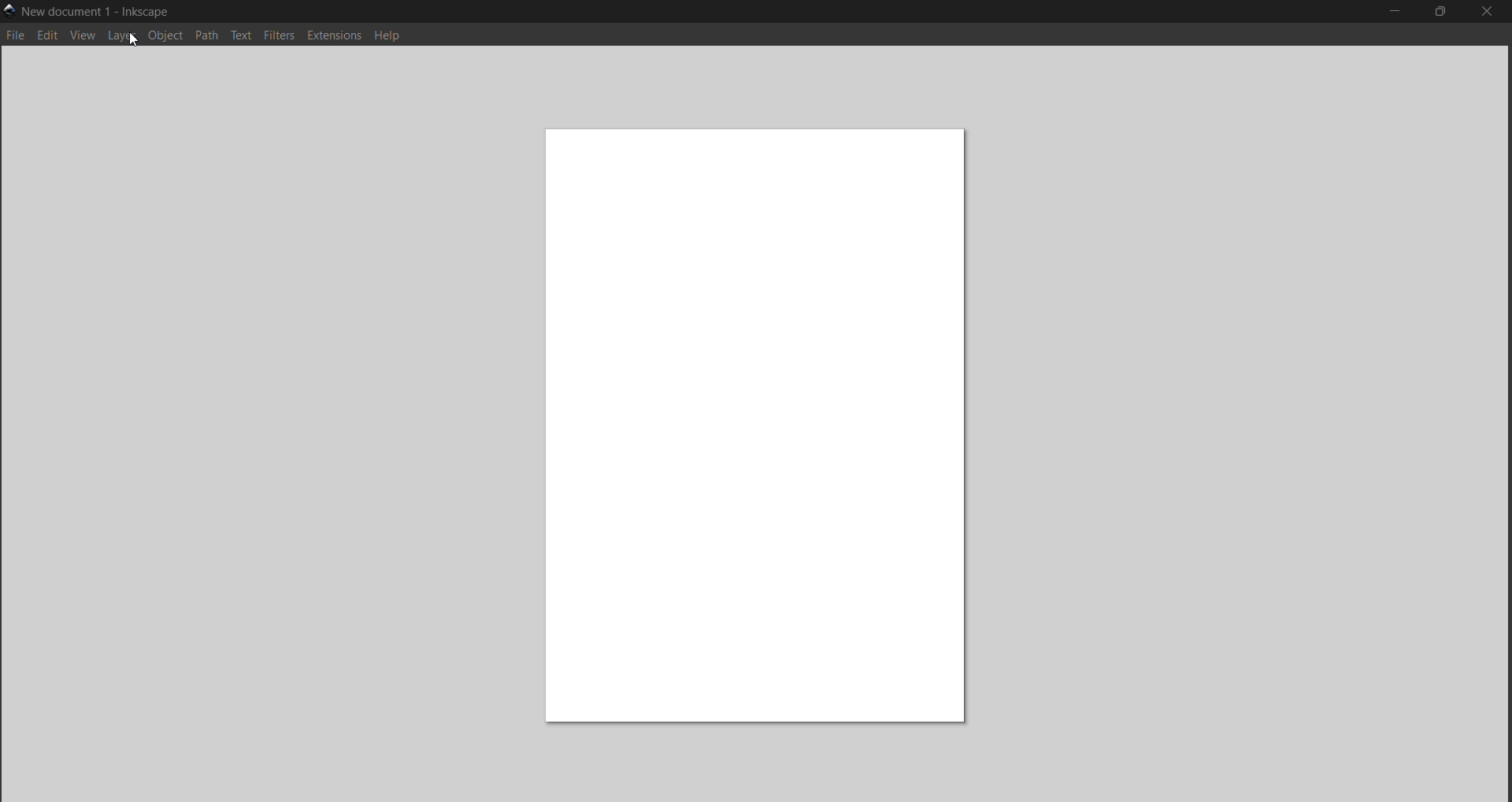  I want to click on object, so click(167, 36).